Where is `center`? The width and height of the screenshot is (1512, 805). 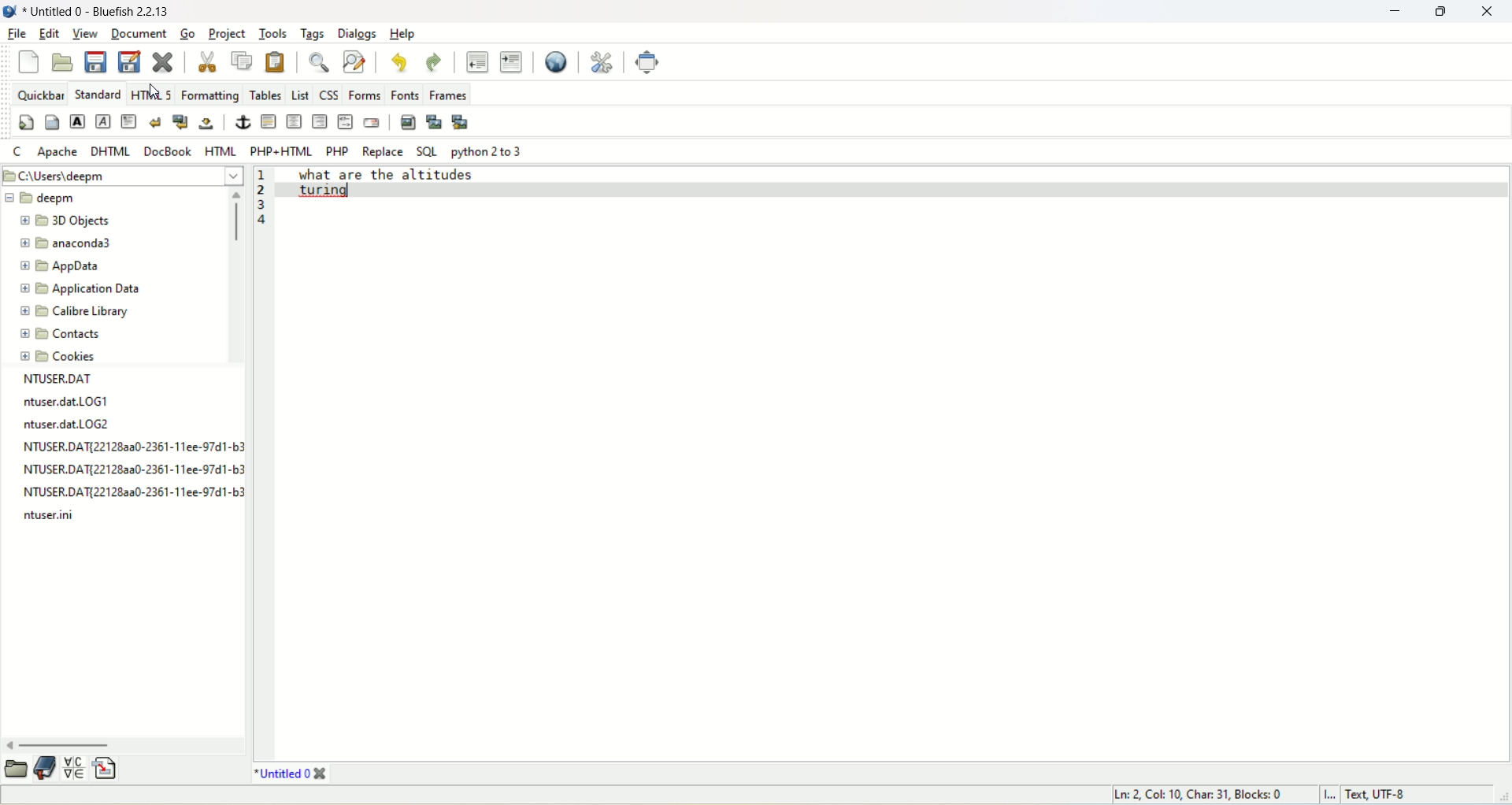
center is located at coordinates (293, 122).